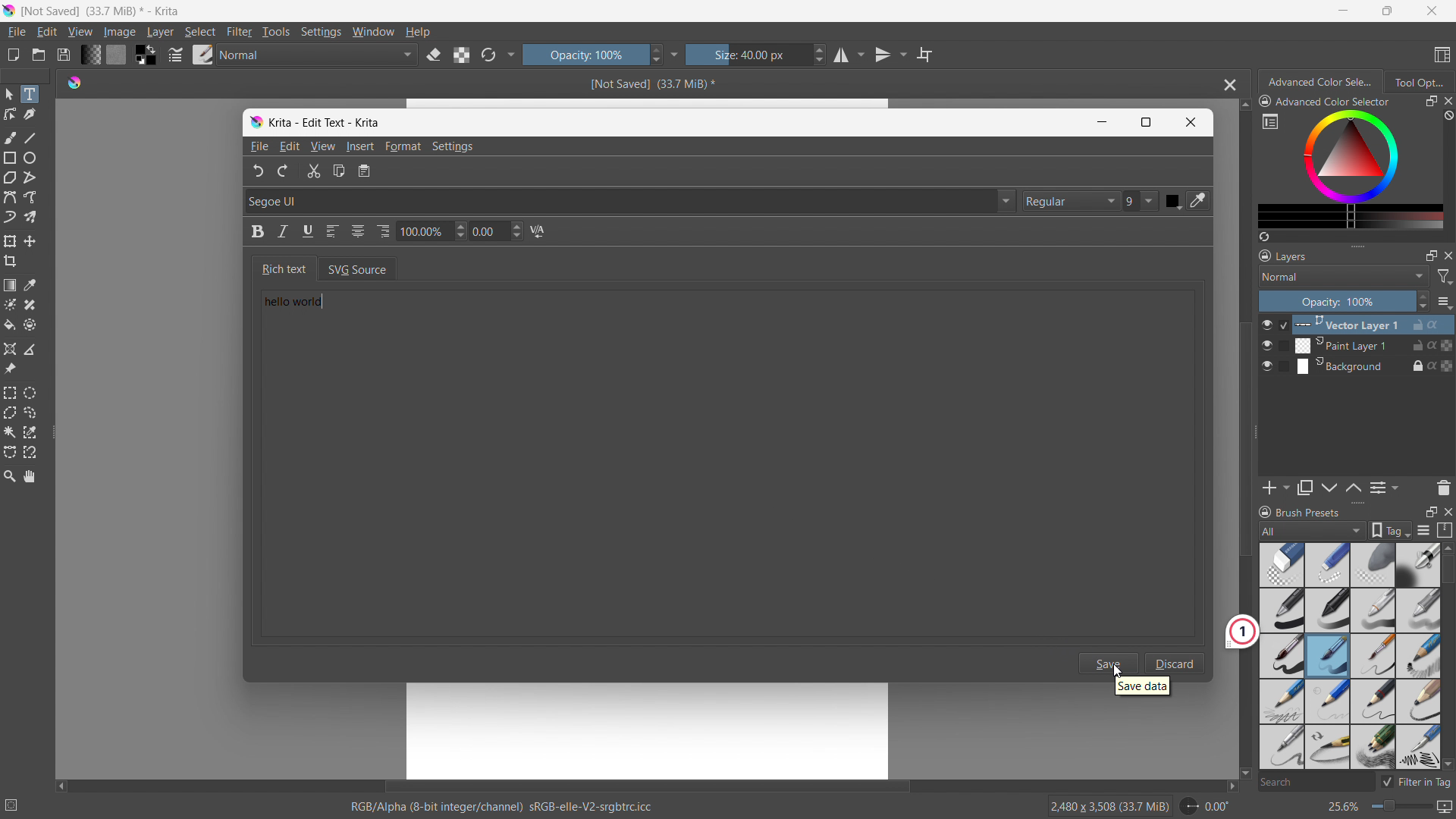  What do you see at coordinates (16, 32) in the screenshot?
I see `file` at bounding box center [16, 32].